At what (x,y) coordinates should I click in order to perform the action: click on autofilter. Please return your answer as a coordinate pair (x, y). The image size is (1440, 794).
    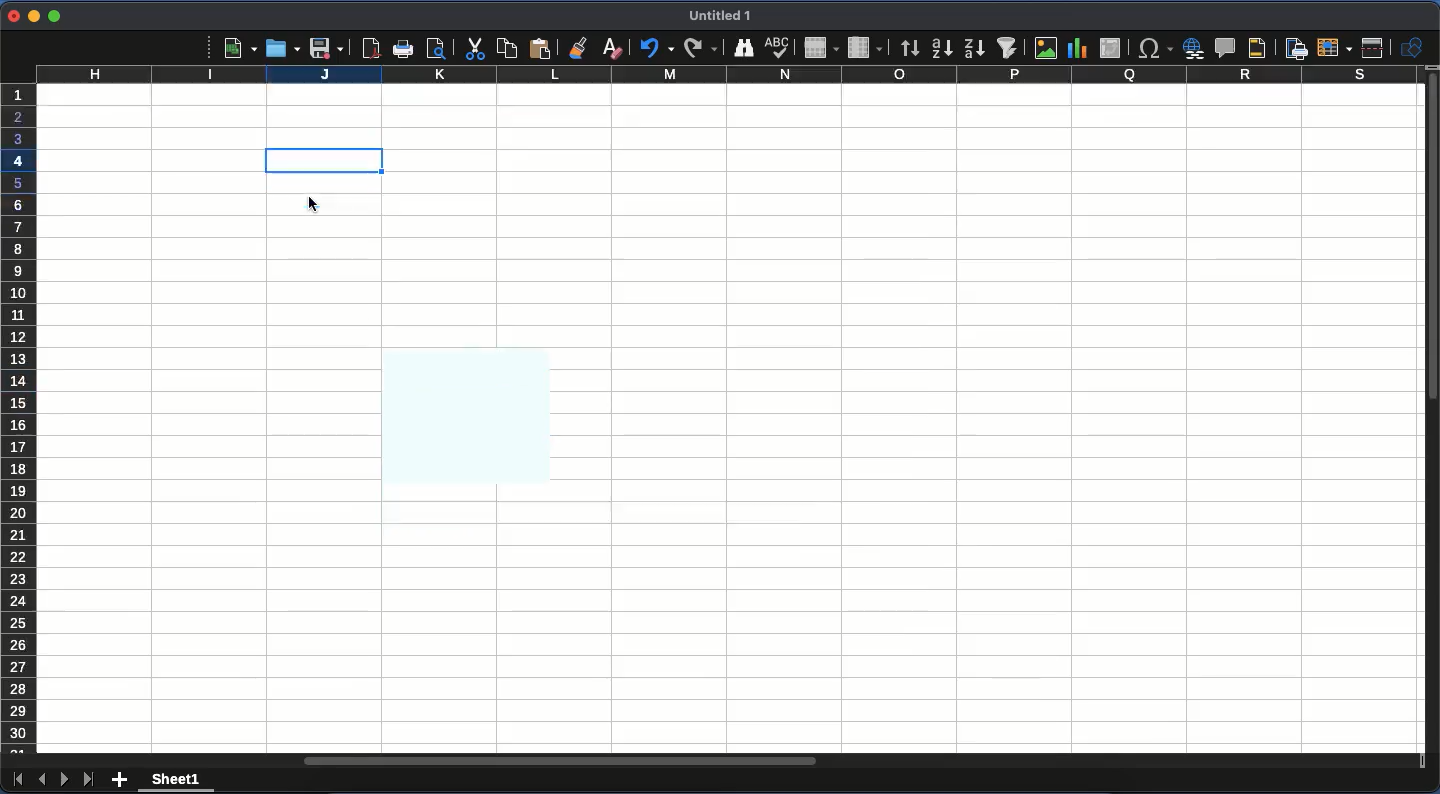
    Looking at the image, I should click on (1011, 48).